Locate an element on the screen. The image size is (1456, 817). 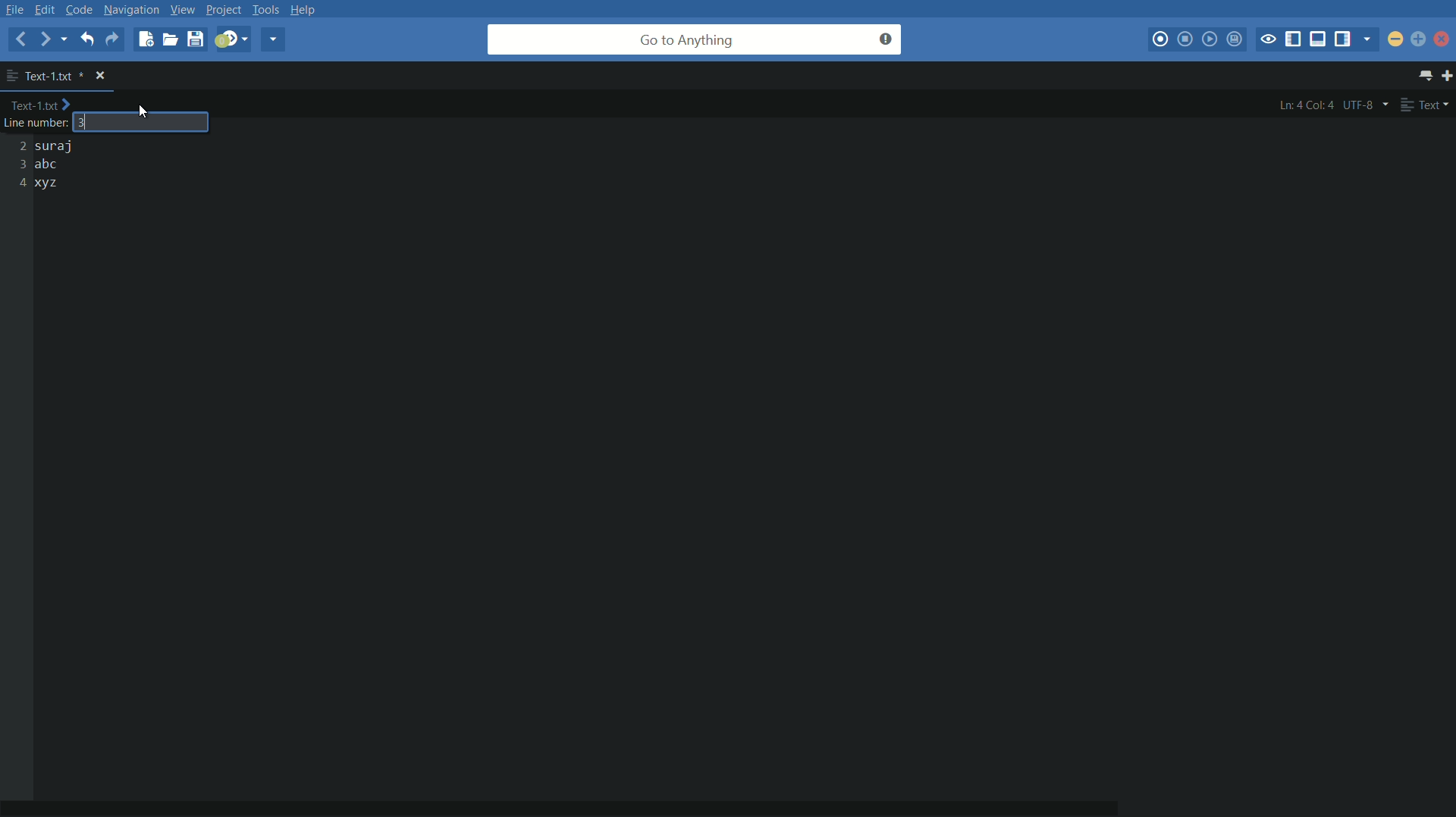
ln:4 col:4 is located at coordinates (1306, 105).